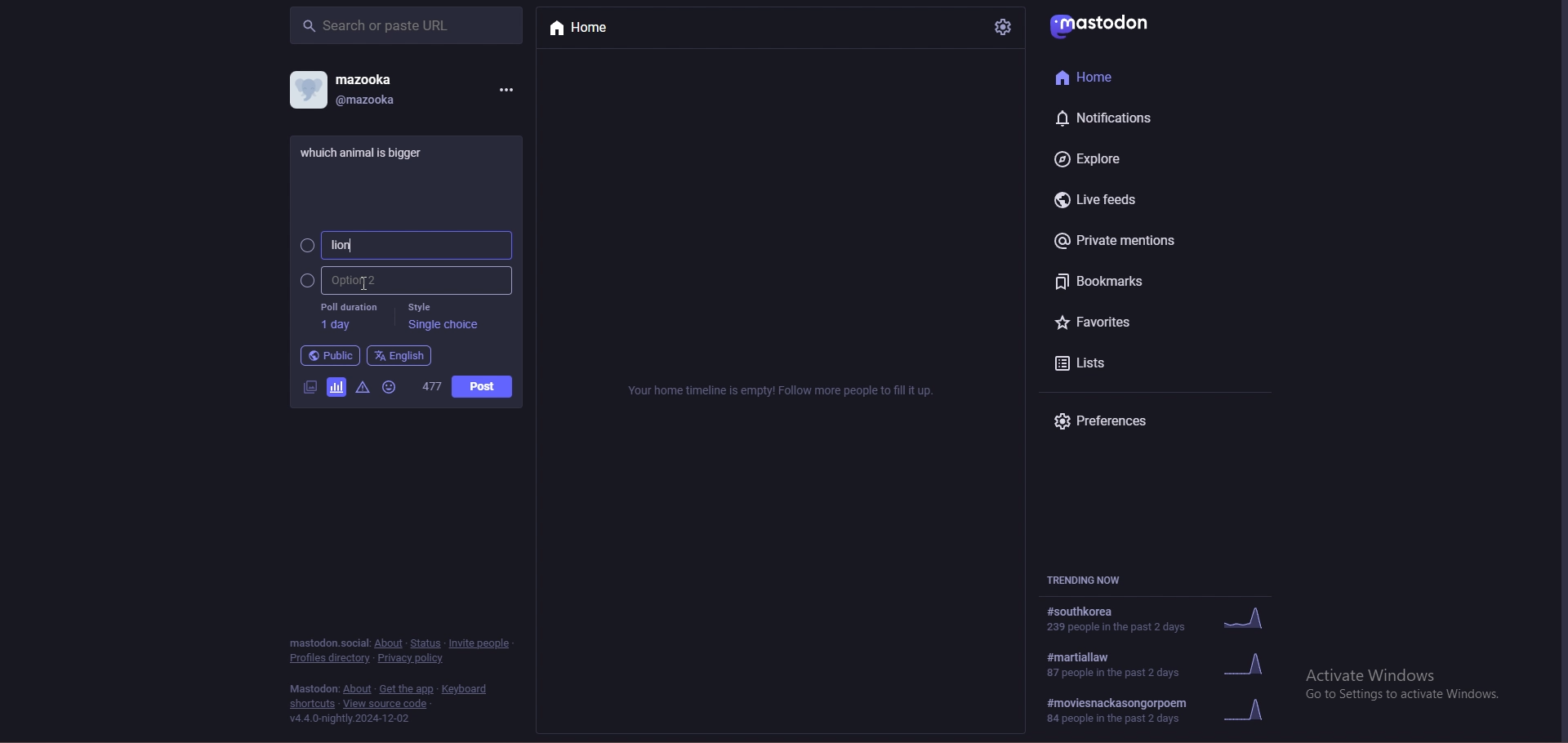 This screenshot has width=1568, height=743. I want to click on warning, so click(363, 389).